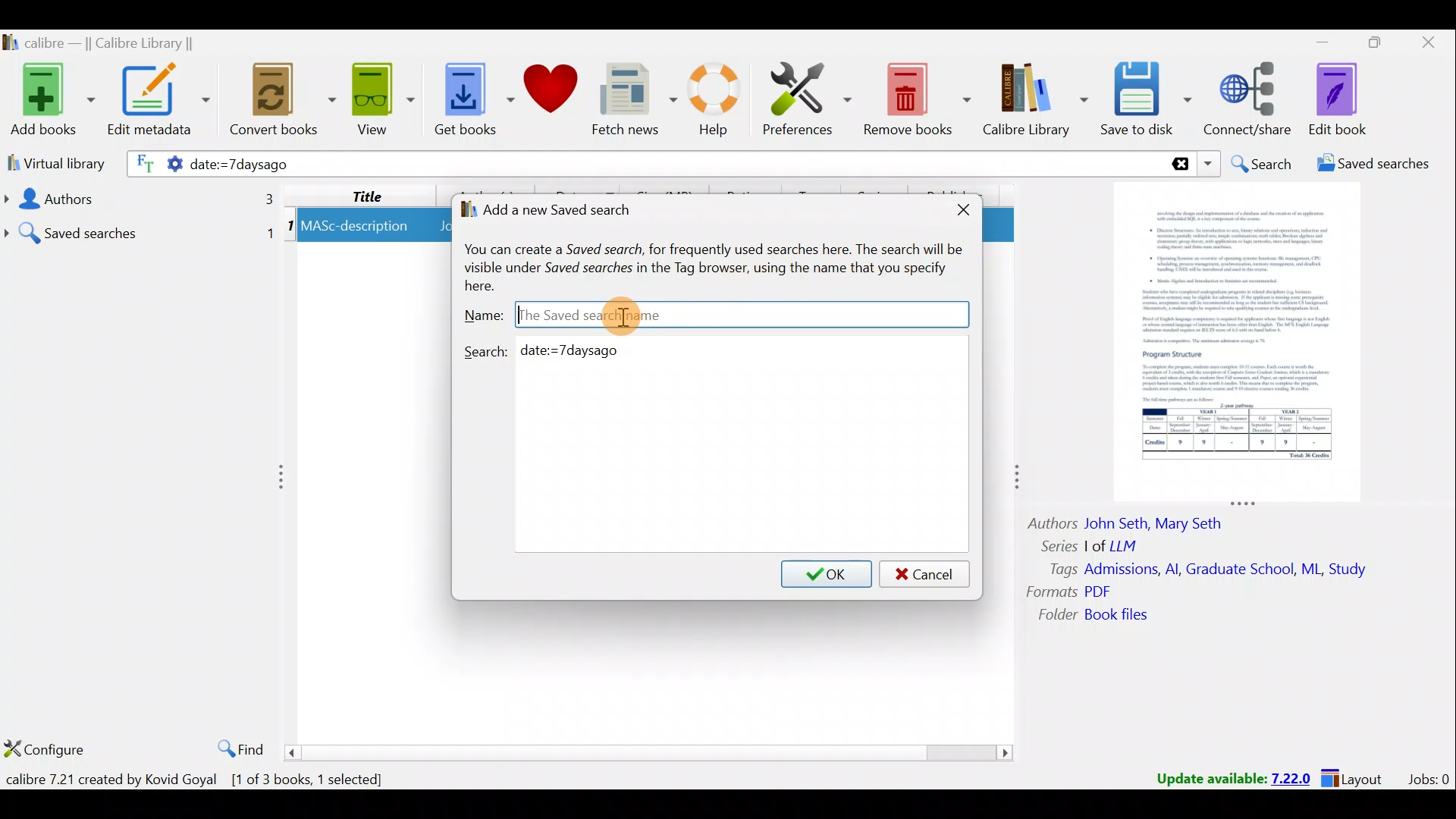 The width and height of the screenshot is (1456, 819). I want to click on Search, so click(488, 350).